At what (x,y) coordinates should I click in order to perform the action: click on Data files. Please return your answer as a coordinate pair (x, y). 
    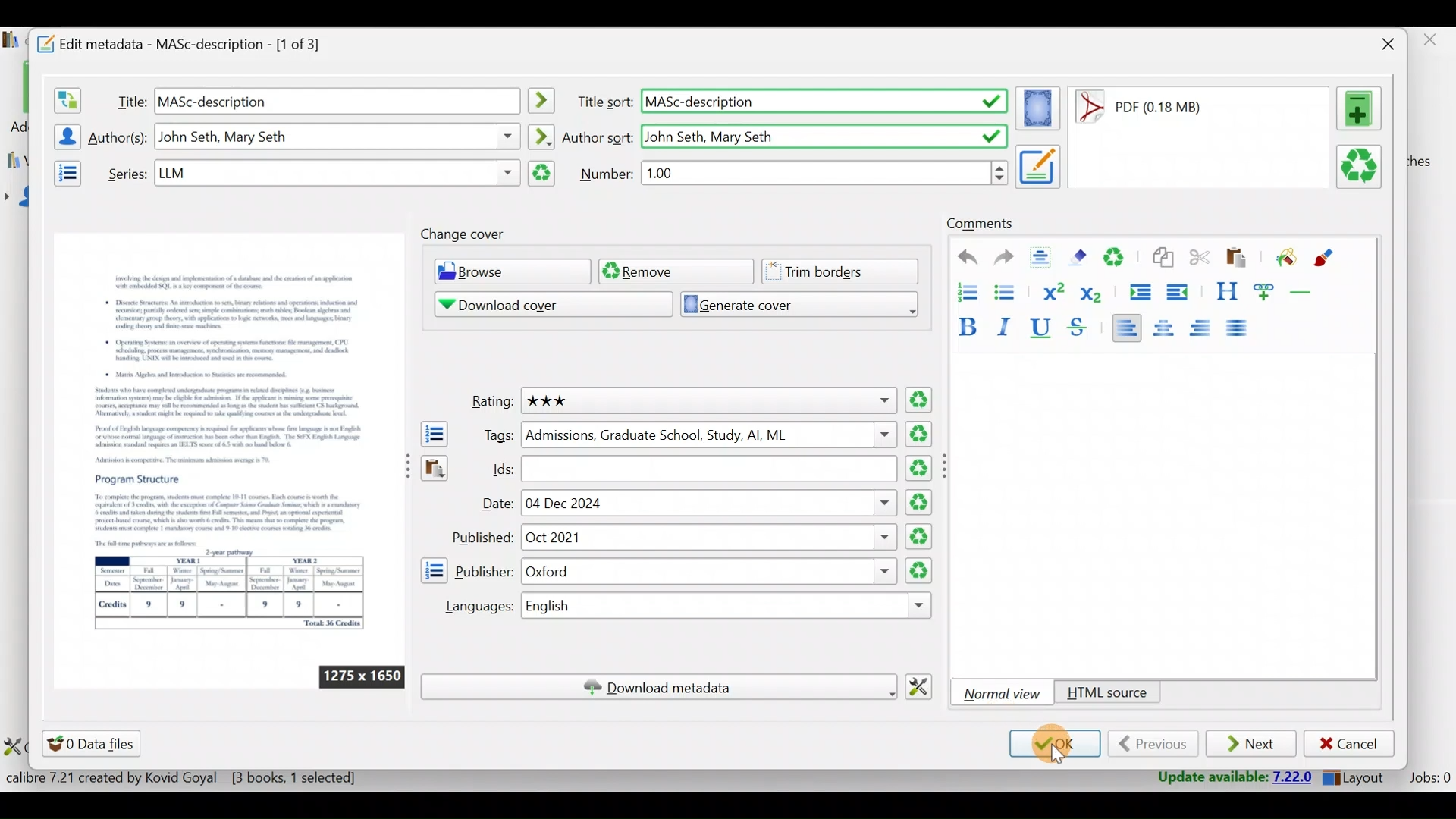
    Looking at the image, I should click on (94, 743).